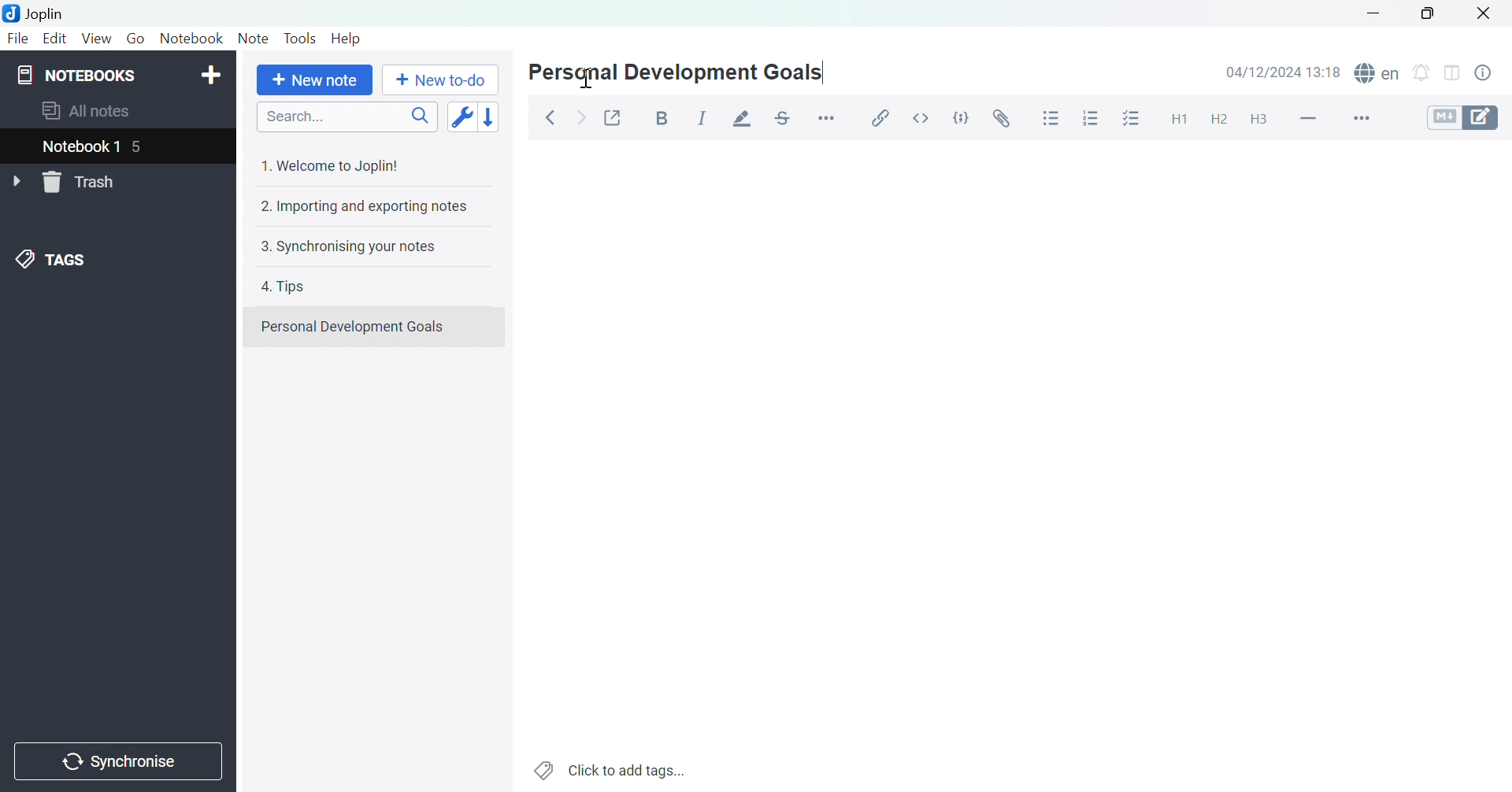  What do you see at coordinates (1128, 120) in the screenshot?
I see `Checkbox list` at bounding box center [1128, 120].